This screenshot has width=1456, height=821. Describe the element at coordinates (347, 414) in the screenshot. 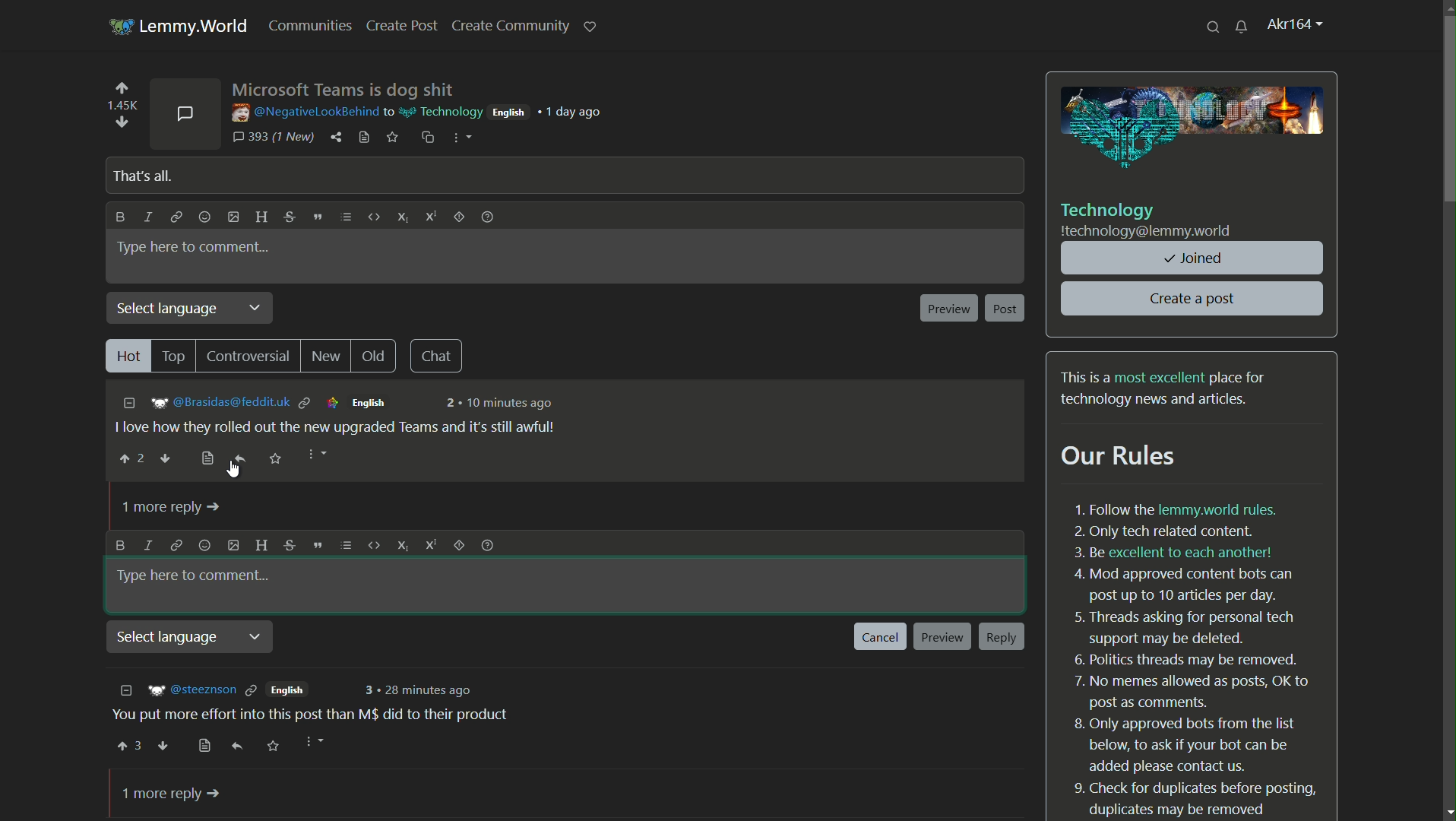

I see `comment-1` at that location.